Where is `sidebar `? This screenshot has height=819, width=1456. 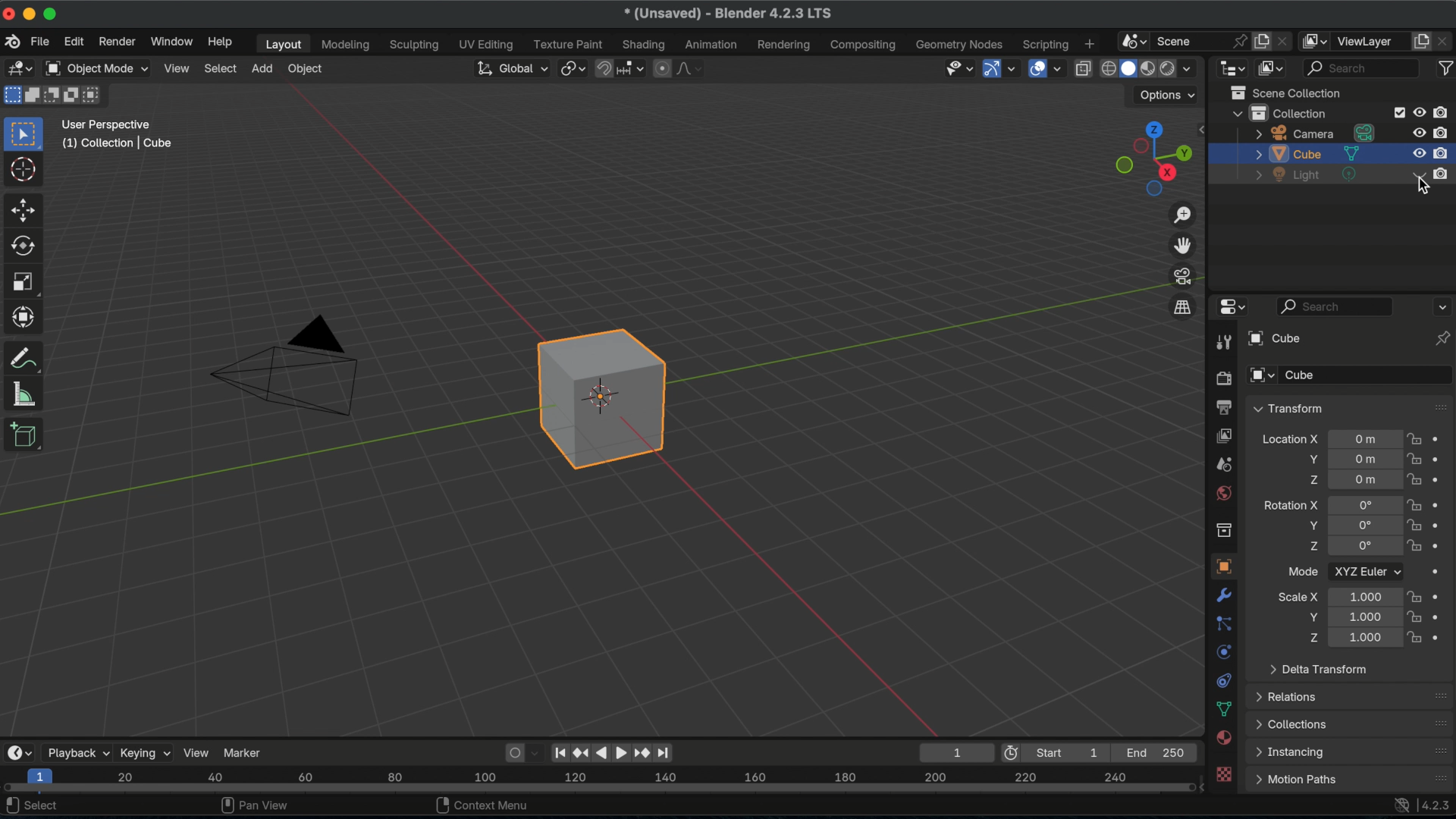
sidebar  is located at coordinates (1205, 127).